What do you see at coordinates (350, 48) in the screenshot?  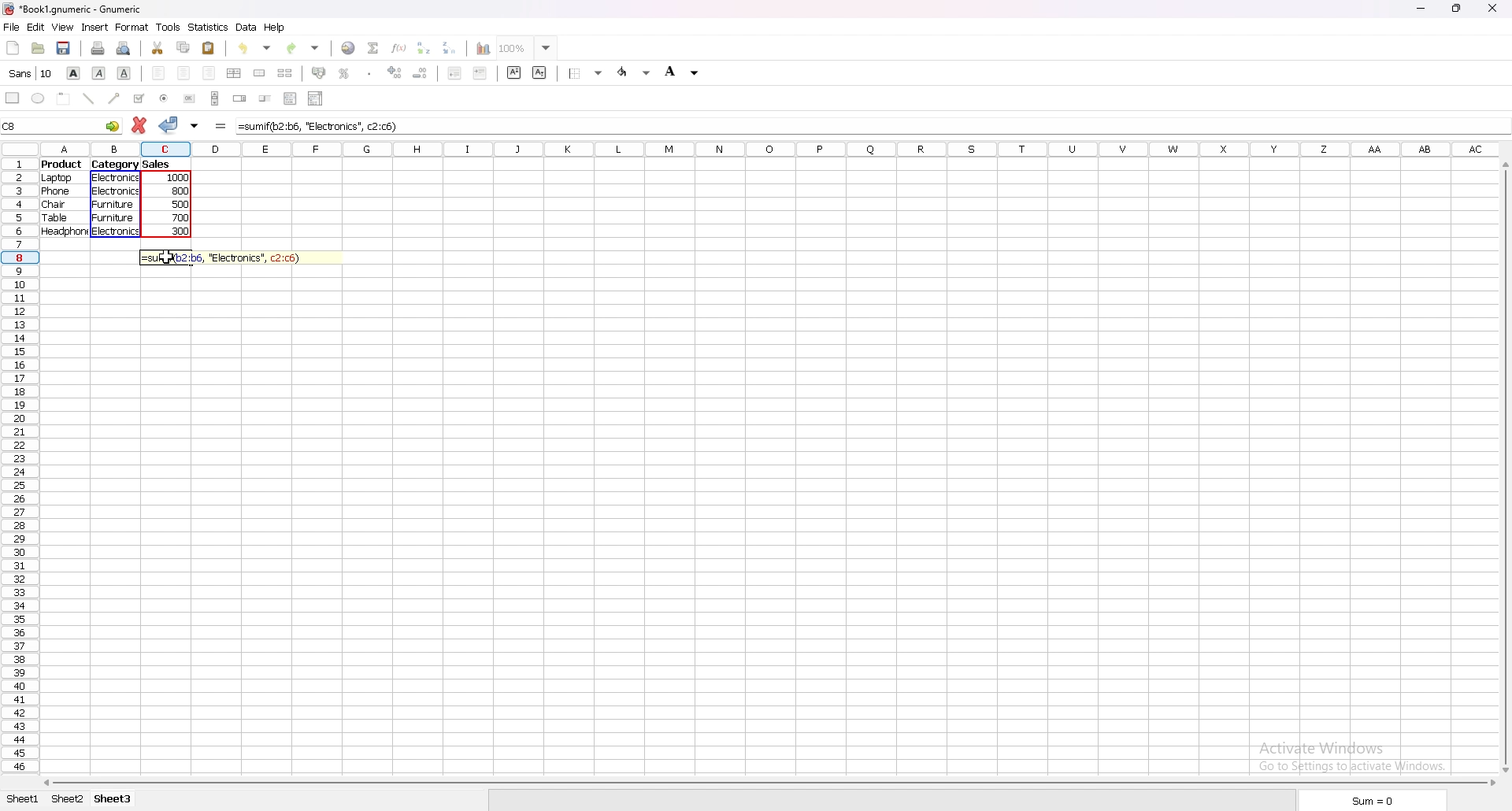 I see `hyperlink` at bounding box center [350, 48].